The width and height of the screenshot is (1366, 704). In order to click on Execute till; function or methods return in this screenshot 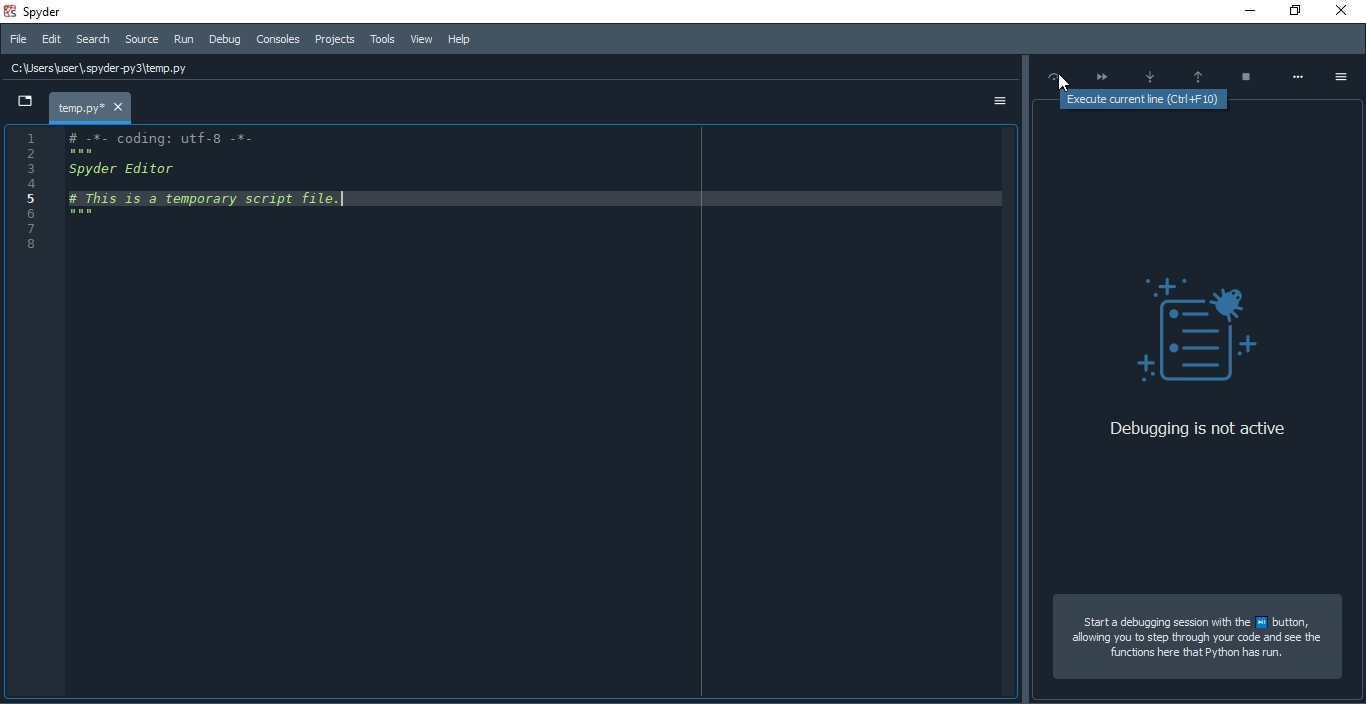, I will do `click(1198, 71)`.